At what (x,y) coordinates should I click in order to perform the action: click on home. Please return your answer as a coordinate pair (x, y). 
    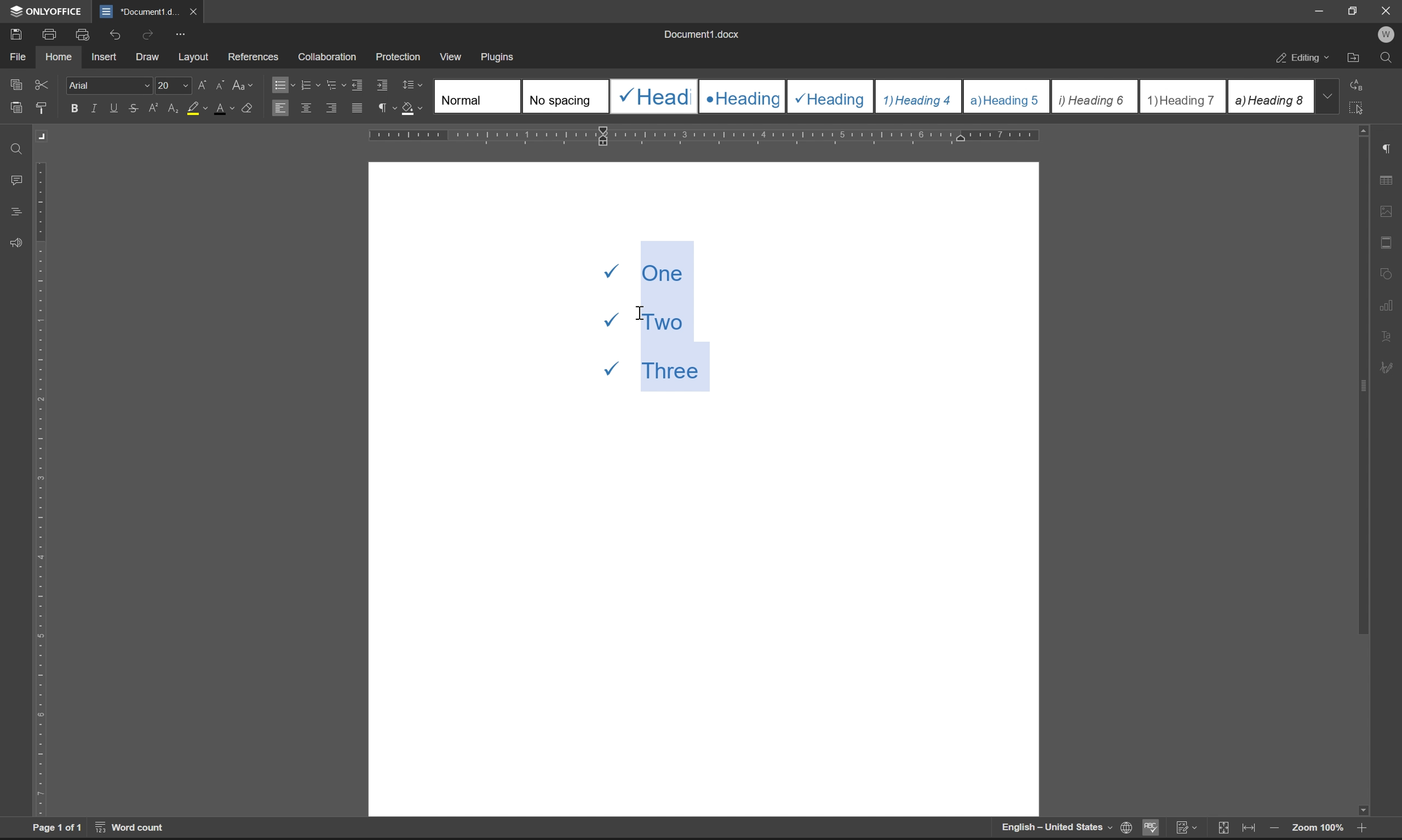
    Looking at the image, I should click on (58, 55).